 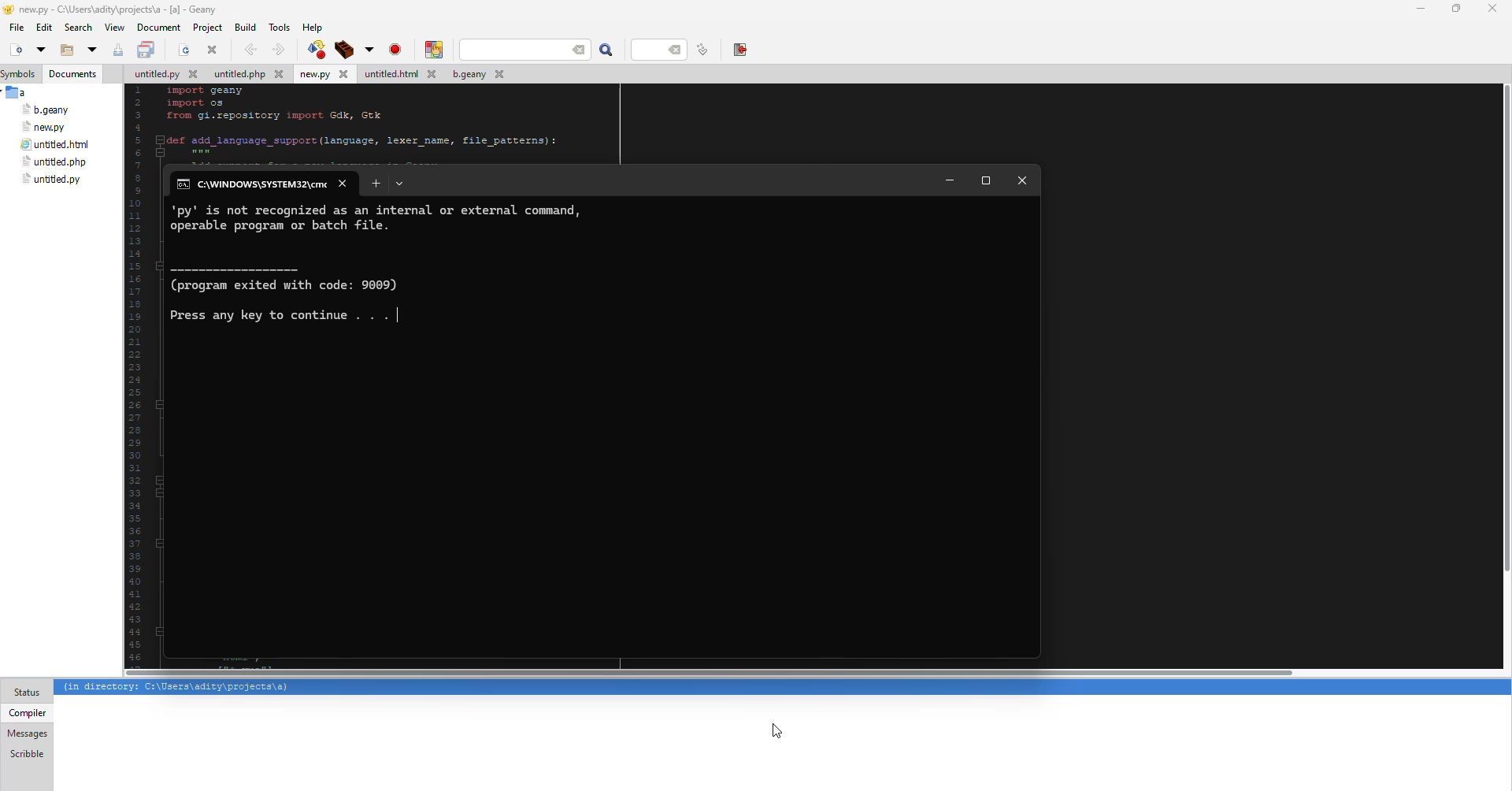 I want to click on file, so click(x=162, y=74).